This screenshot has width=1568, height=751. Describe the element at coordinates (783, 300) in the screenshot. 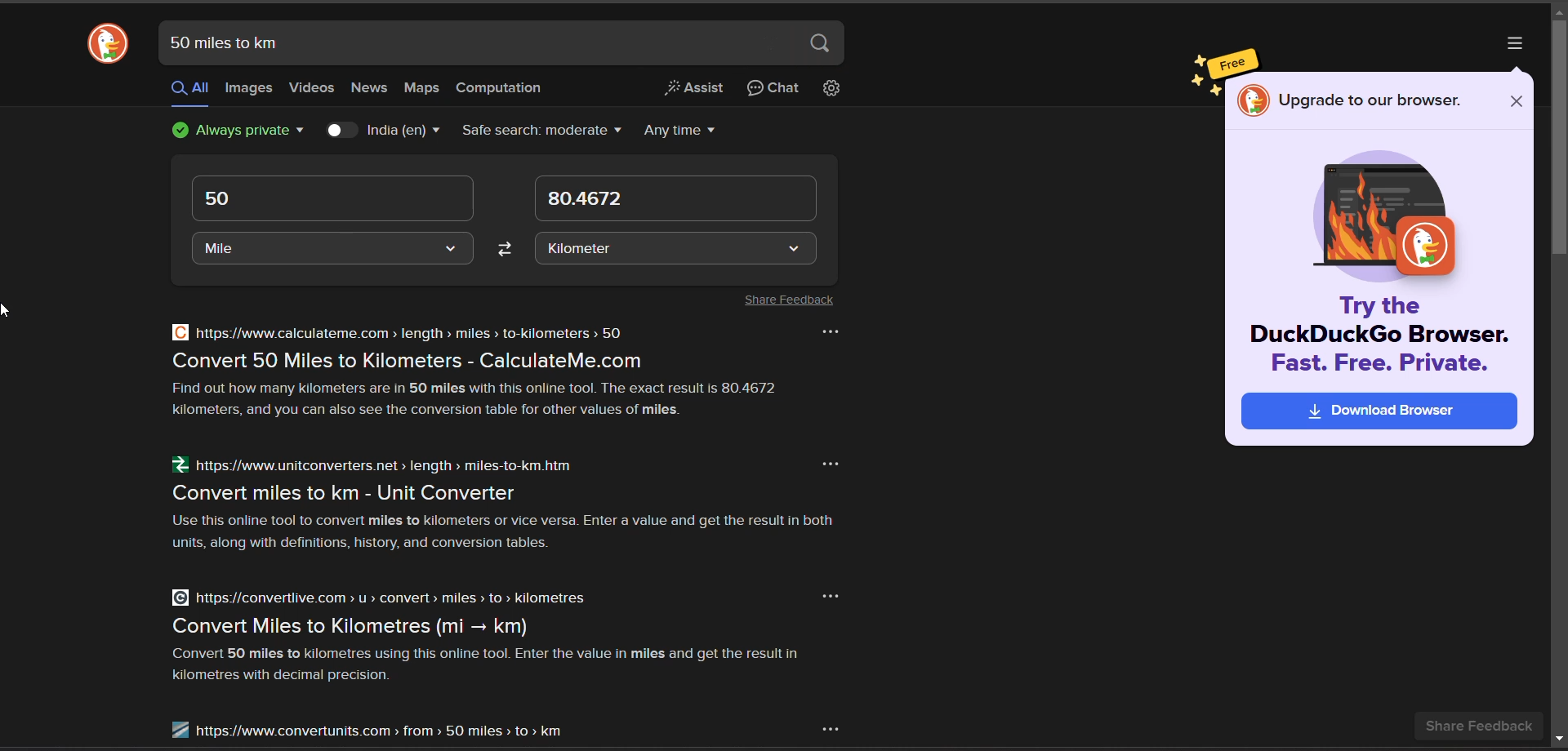

I see `Share Feedback` at that location.